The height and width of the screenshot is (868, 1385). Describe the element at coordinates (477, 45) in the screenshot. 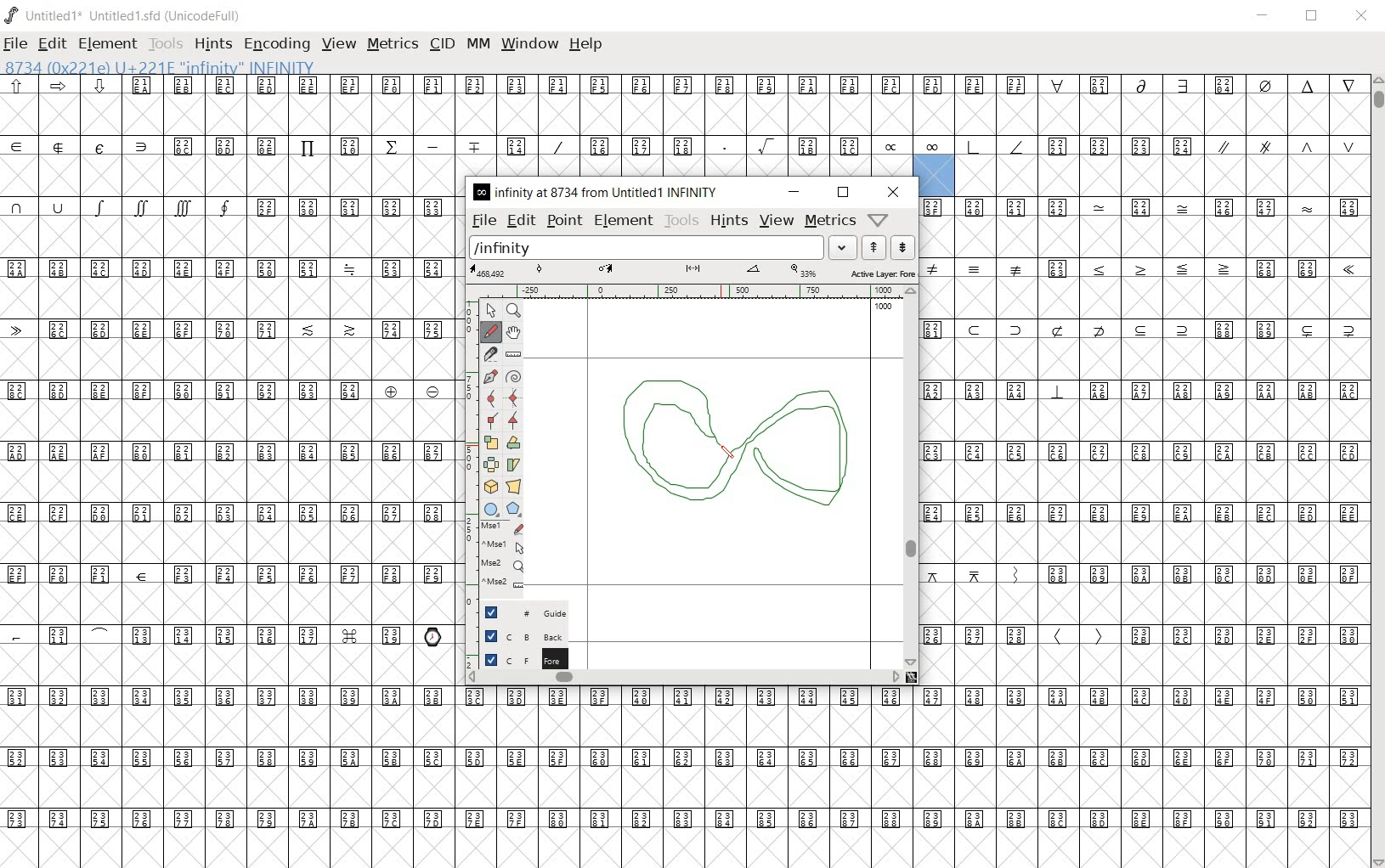

I see `mm` at that location.